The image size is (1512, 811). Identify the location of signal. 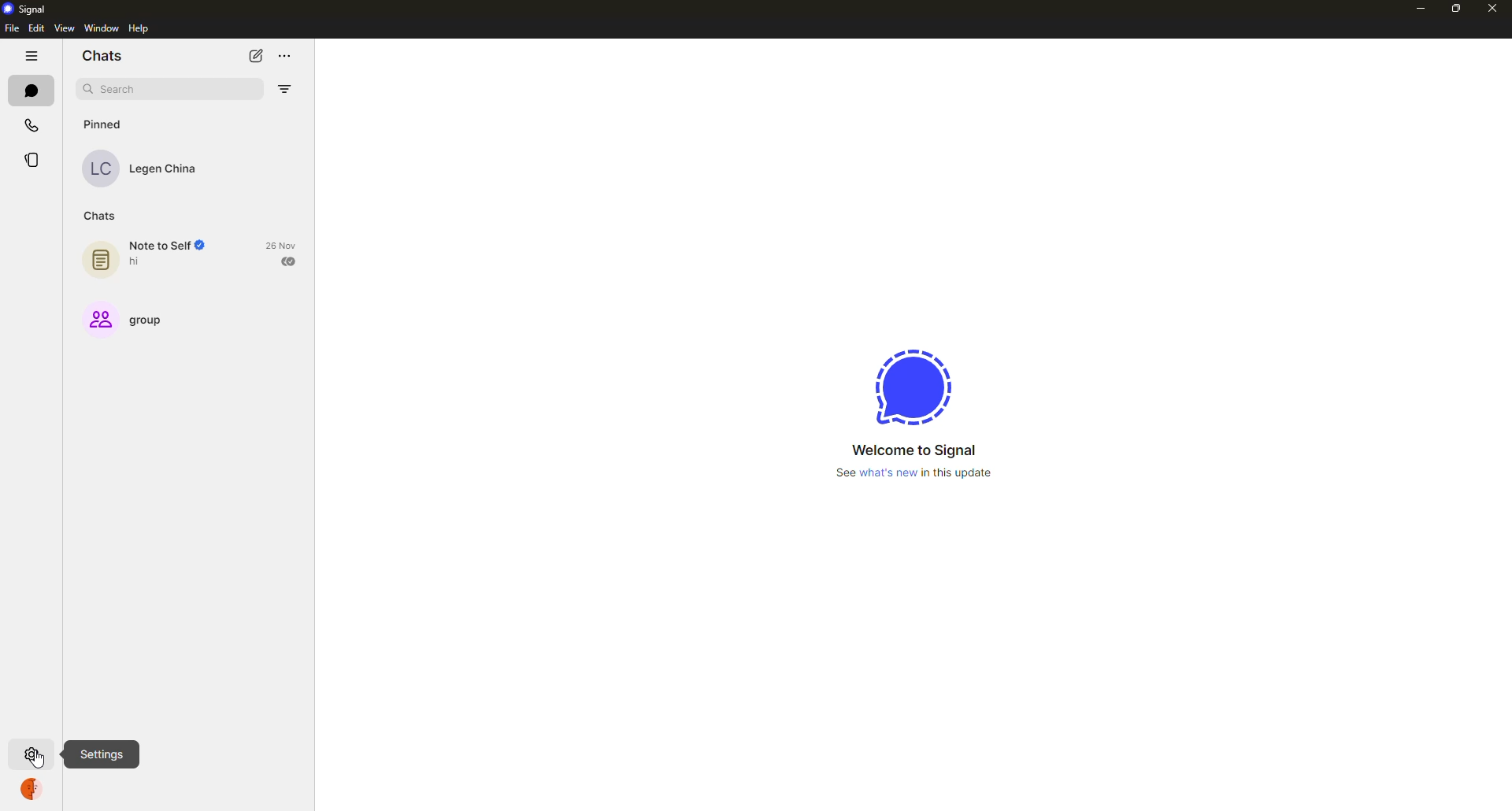
(24, 8).